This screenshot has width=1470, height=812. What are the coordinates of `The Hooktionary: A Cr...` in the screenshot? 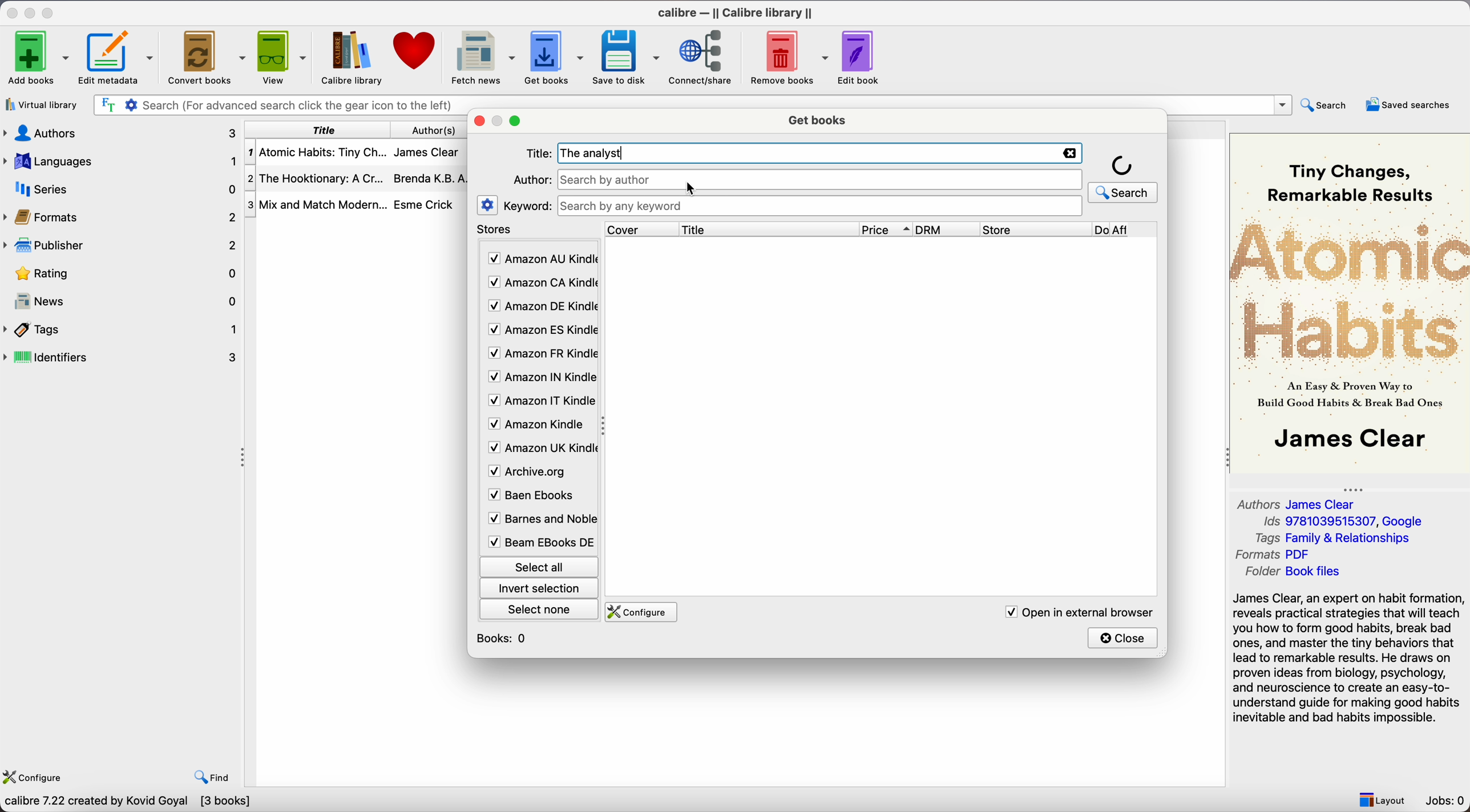 It's located at (320, 178).